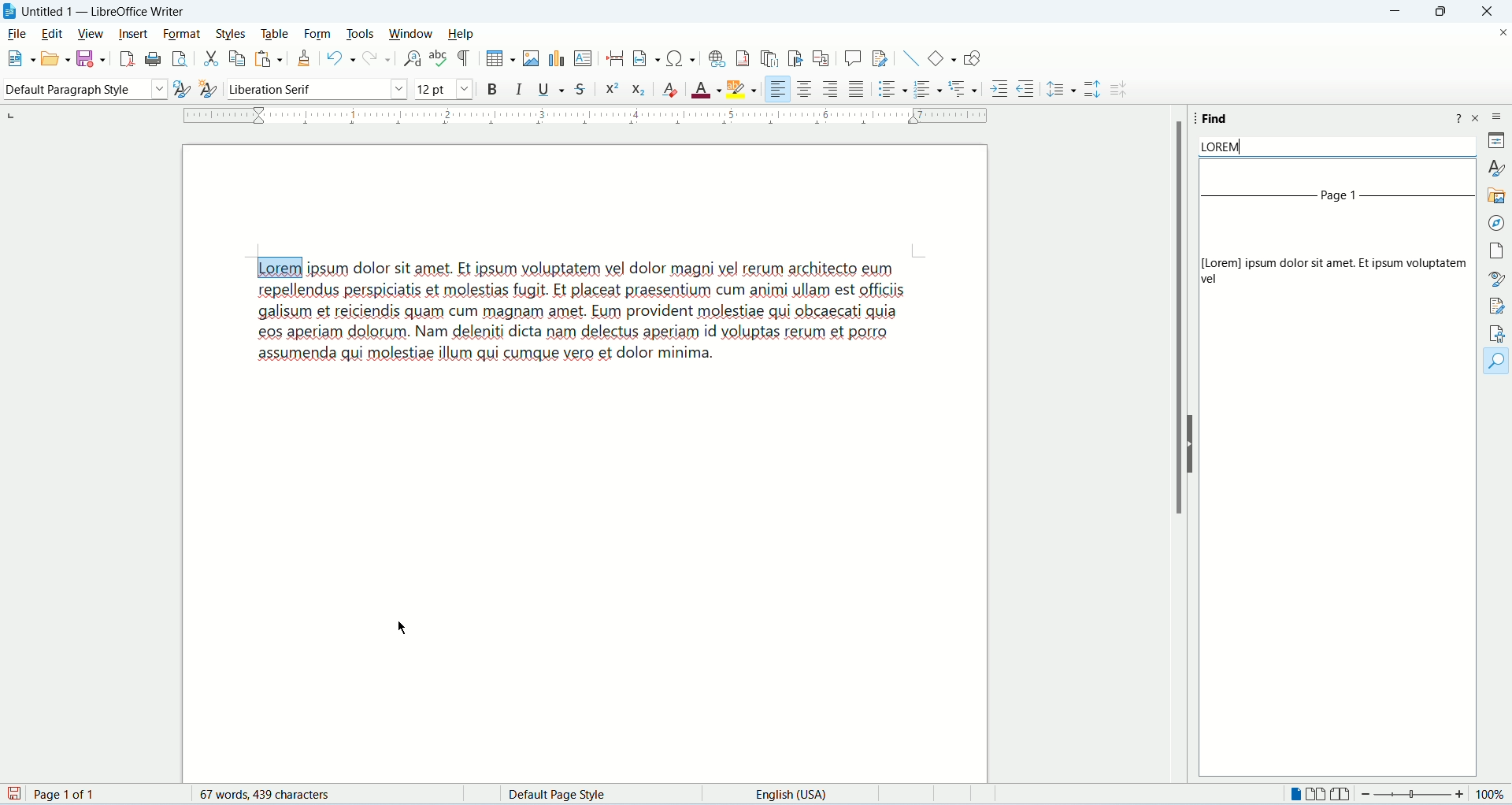 The height and width of the screenshot is (805, 1512). Describe the element at coordinates (274, 33) in the screenshot. I see `table` at that location.